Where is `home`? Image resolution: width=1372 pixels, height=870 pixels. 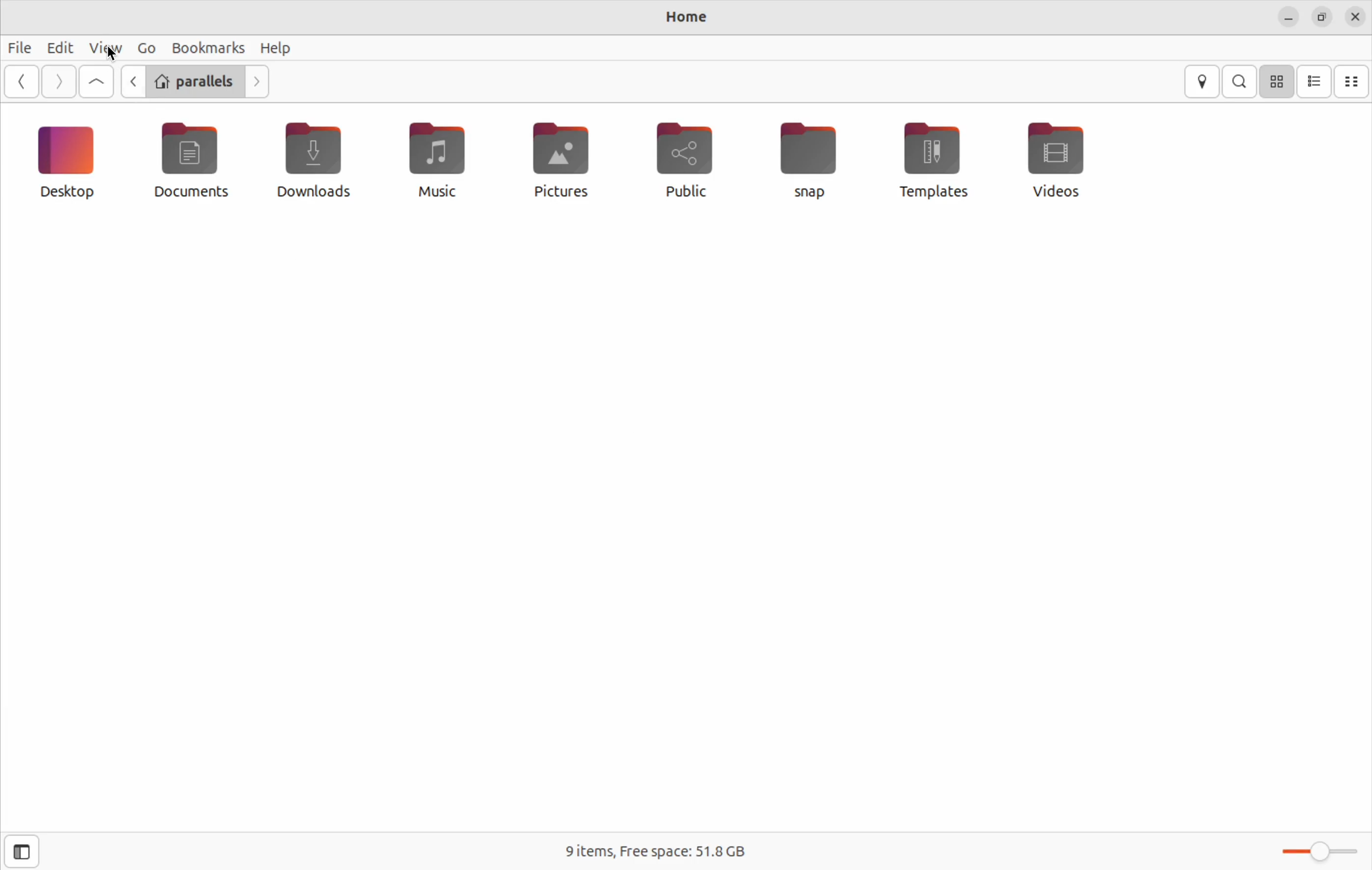
home is located at coordinates (685, 19).